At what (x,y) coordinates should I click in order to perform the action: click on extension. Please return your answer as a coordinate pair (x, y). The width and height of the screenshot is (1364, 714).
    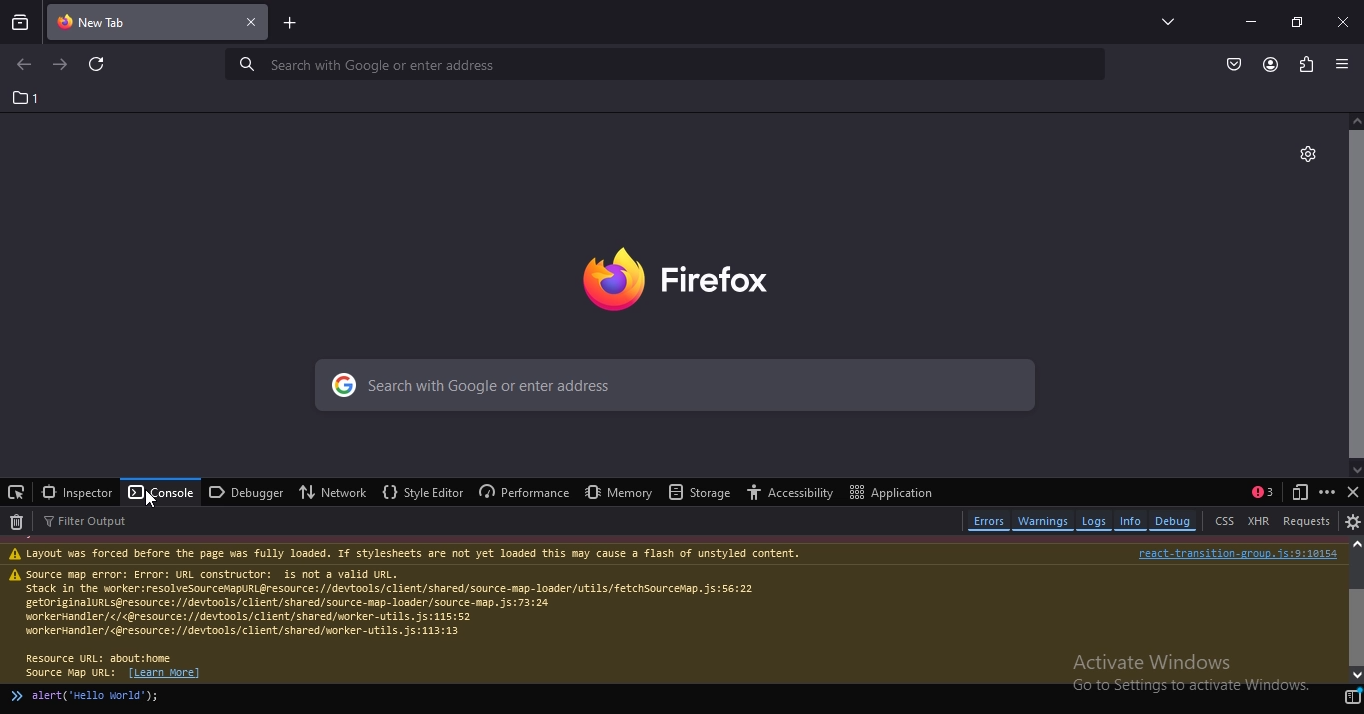
    Looking at the image, I should click on (1307, 65).